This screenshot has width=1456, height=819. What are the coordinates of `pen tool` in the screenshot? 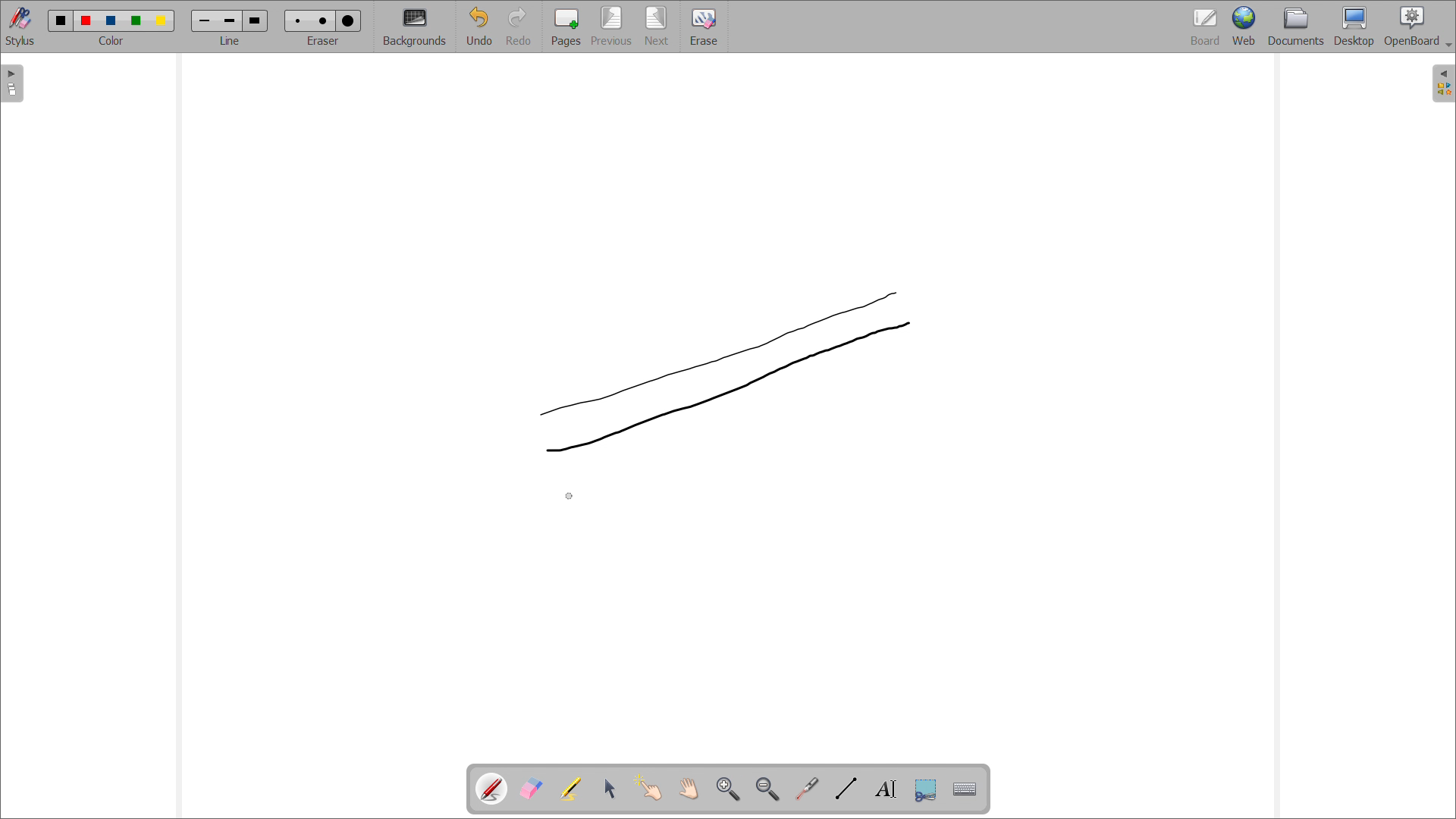 It's located at (494, 789).